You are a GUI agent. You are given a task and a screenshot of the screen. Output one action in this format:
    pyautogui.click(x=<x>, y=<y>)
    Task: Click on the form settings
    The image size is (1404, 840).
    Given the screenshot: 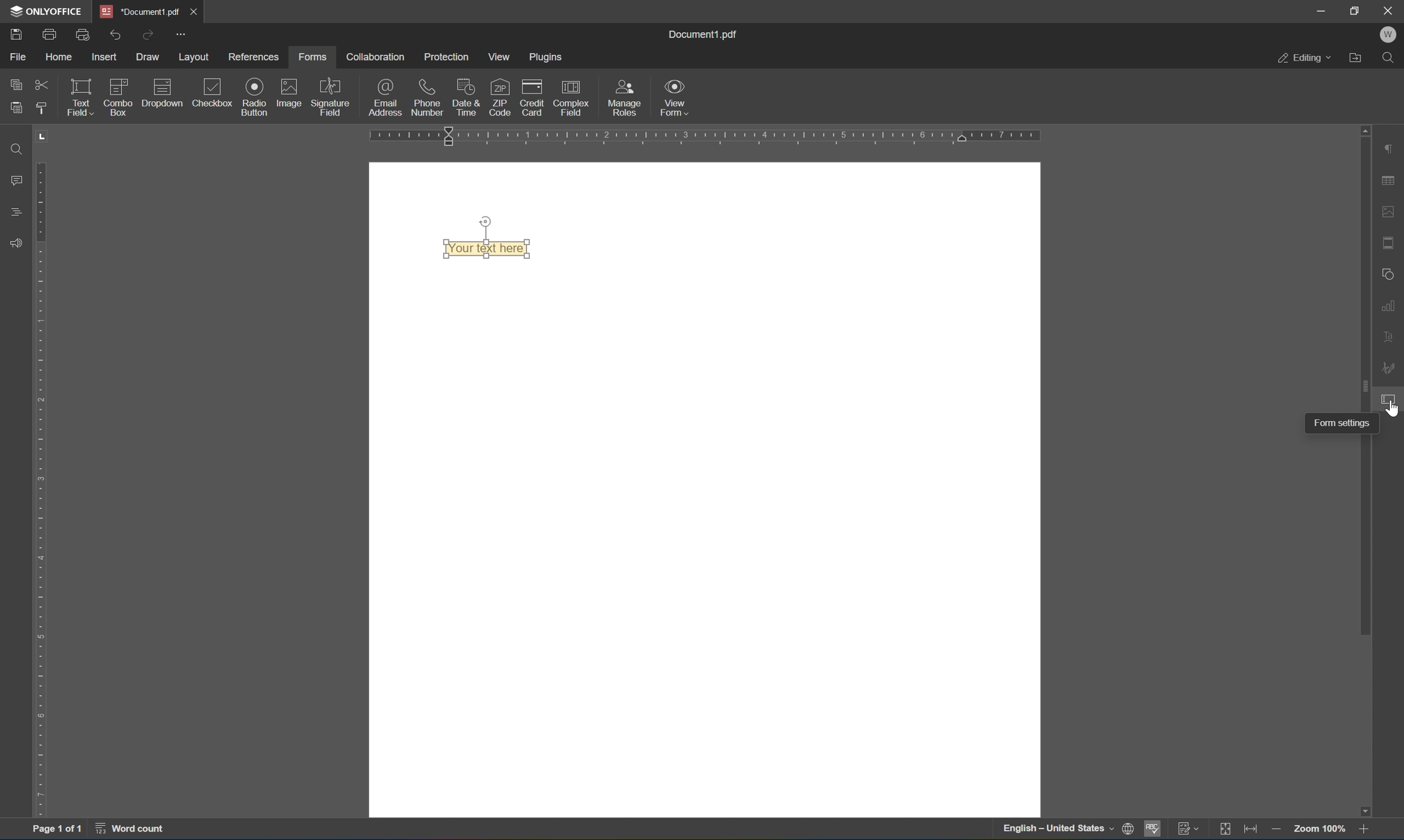 What is the action you would take?
    pyautogui.click(x=1389, y=398)
    